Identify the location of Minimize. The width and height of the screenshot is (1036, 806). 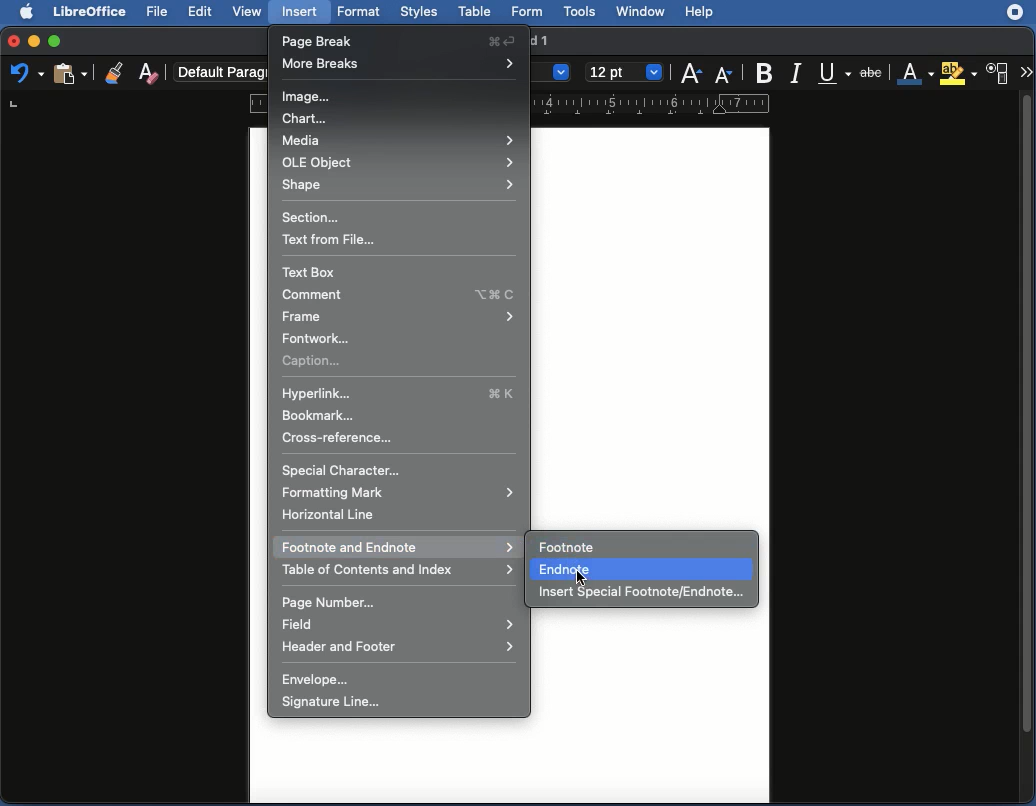
(32, 40).